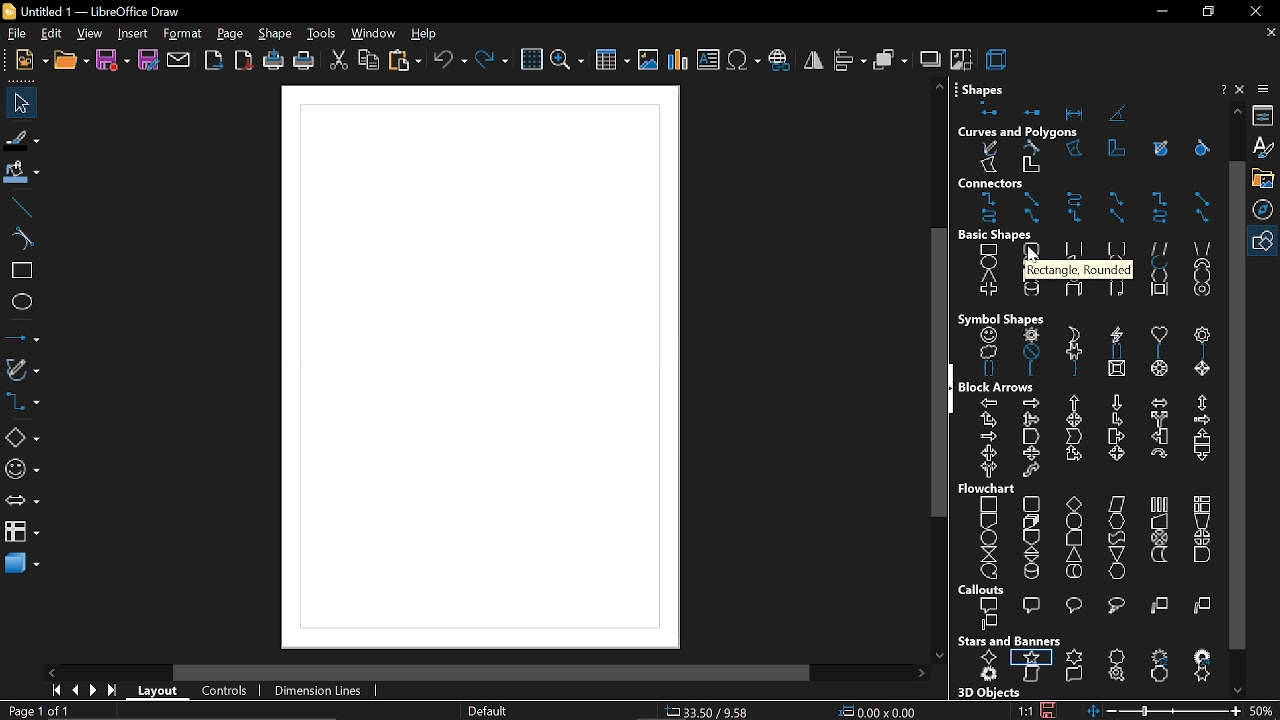 The height and width of the screenshot is (720, 1280). What do you see at coordinates (1238, 110) in the screenshot?
I see `move up` at bounding box center [1238, 110].